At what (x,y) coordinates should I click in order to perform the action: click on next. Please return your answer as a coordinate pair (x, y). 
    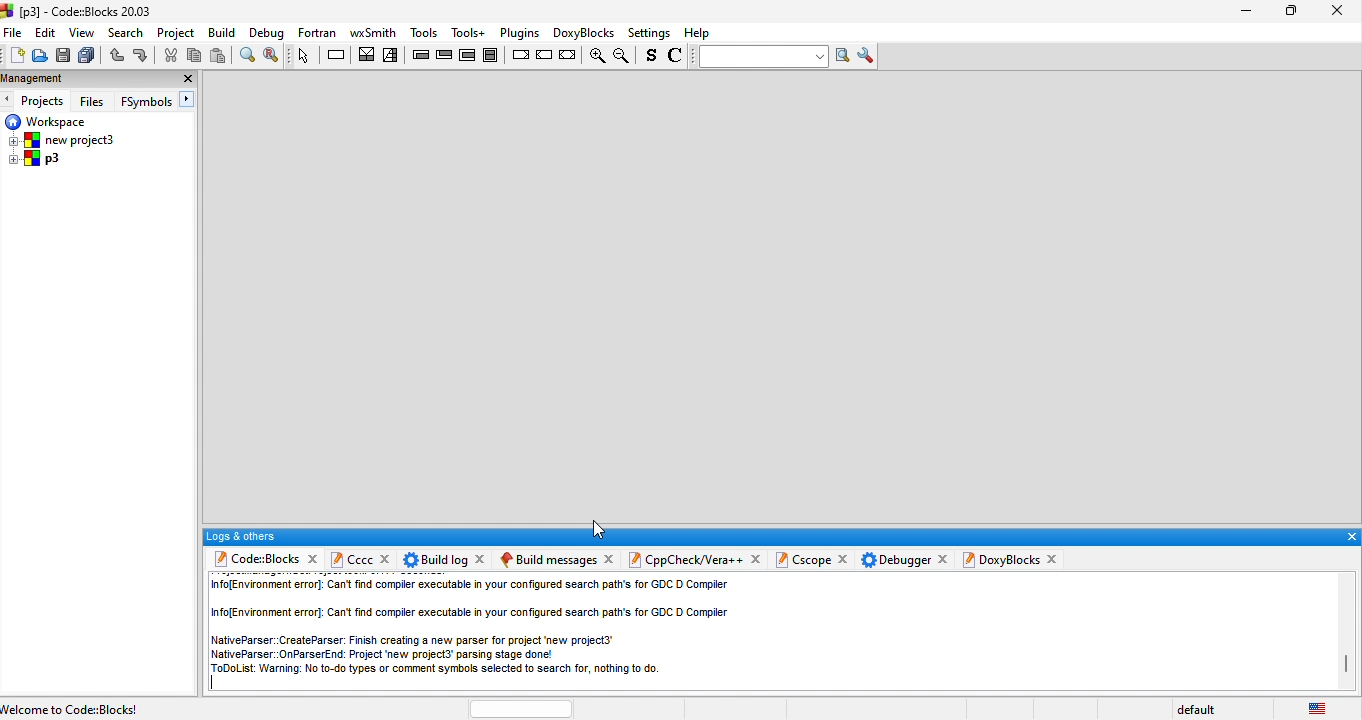
    Looking at the image, I should click on (189, 100).